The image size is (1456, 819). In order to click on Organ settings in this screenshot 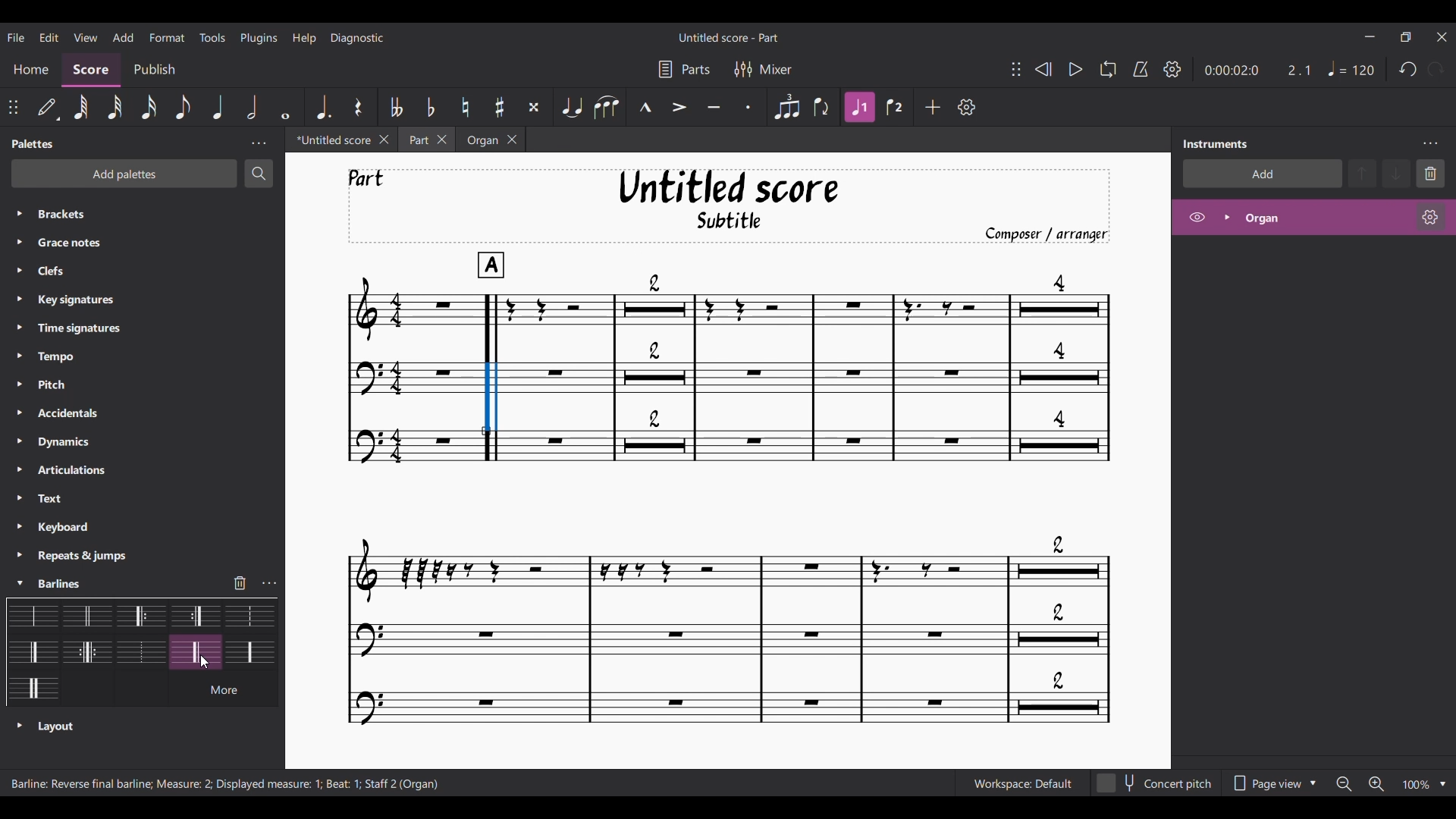, I will do `click(1430, 217)`.